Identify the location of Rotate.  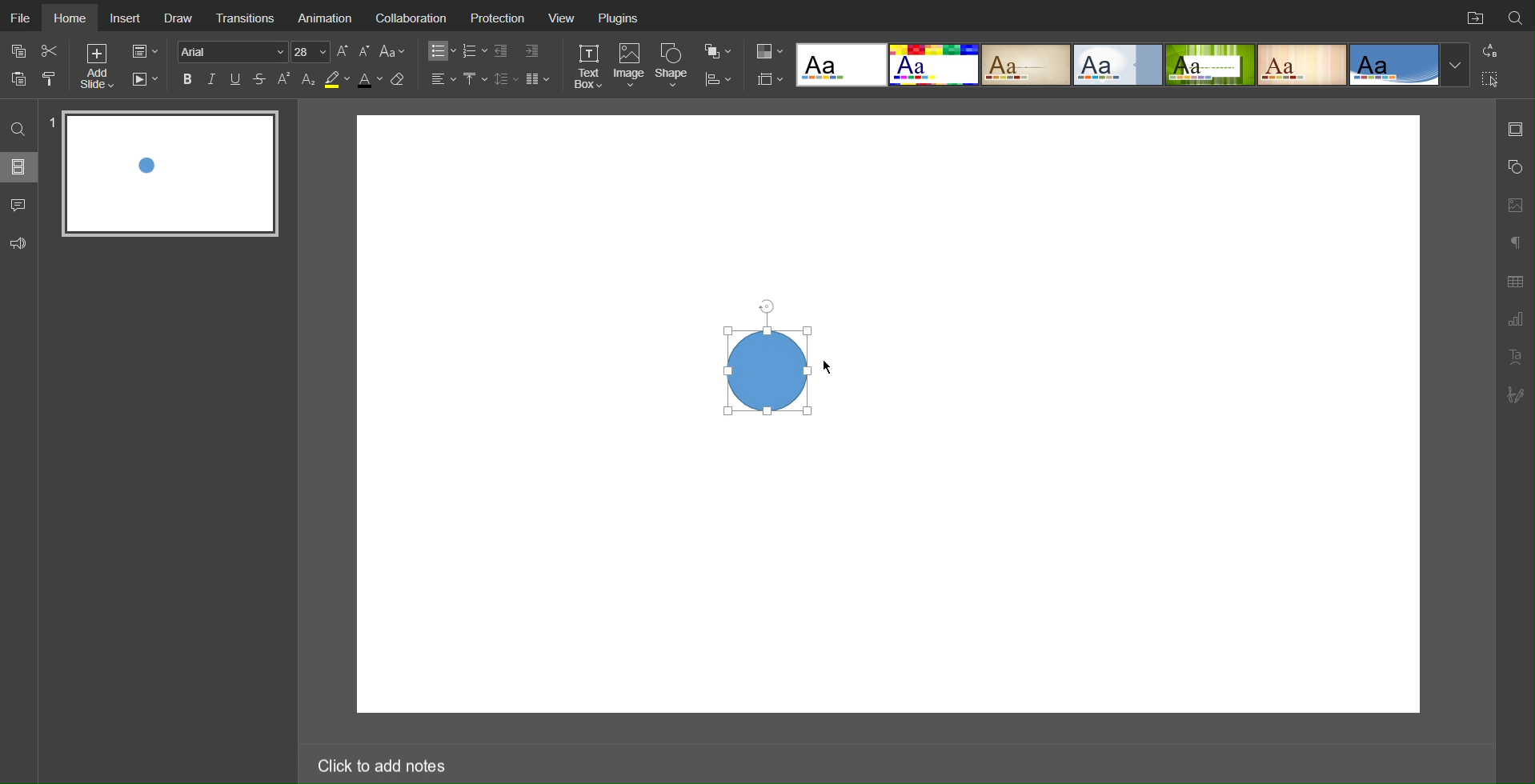
(765, 303).